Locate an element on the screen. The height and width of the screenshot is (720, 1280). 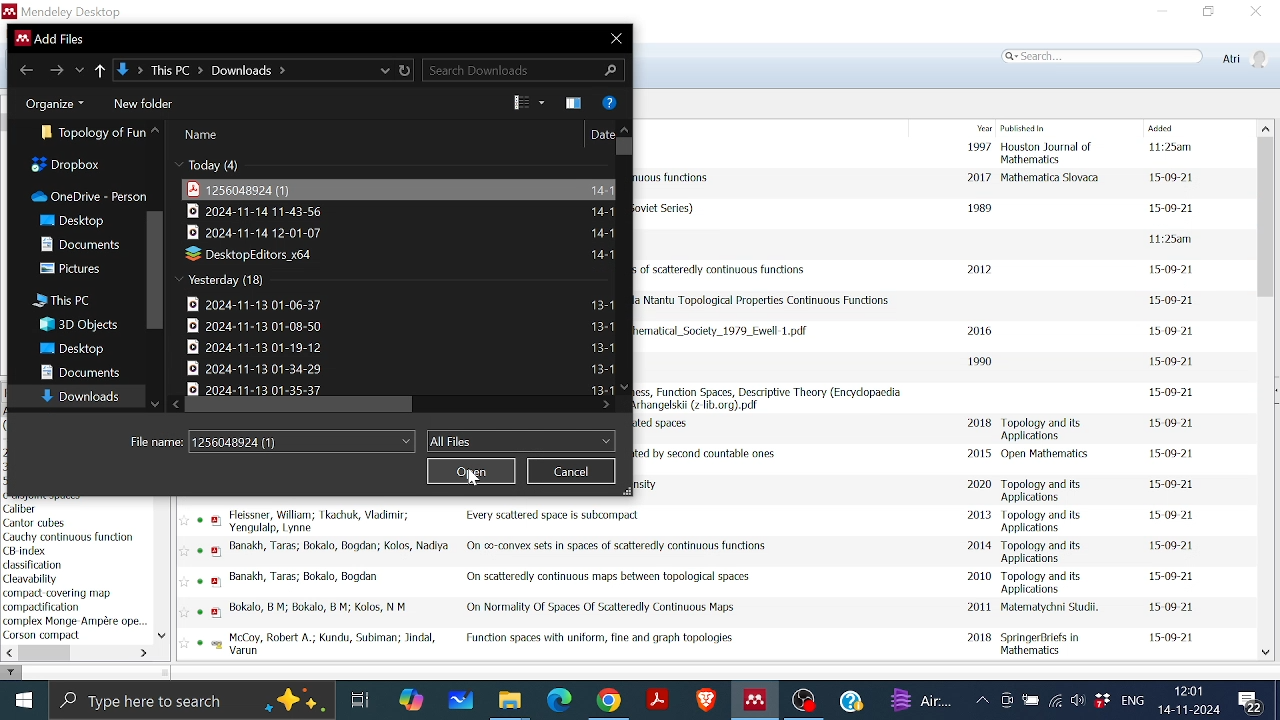
date is located at coordinates (1172, 148).